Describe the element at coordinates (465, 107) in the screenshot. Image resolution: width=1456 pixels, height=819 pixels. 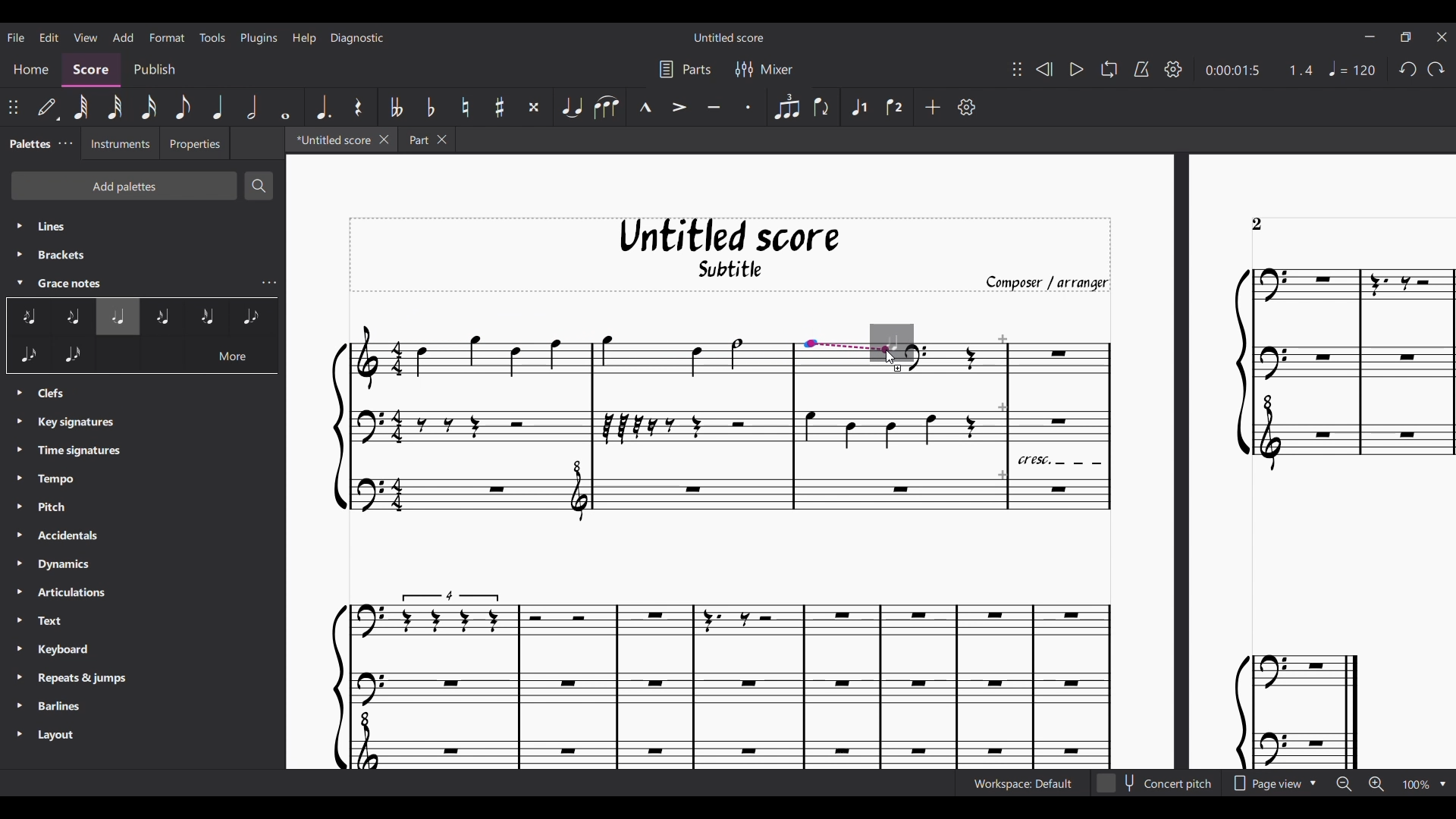
I see `Toggle natural` at that location.